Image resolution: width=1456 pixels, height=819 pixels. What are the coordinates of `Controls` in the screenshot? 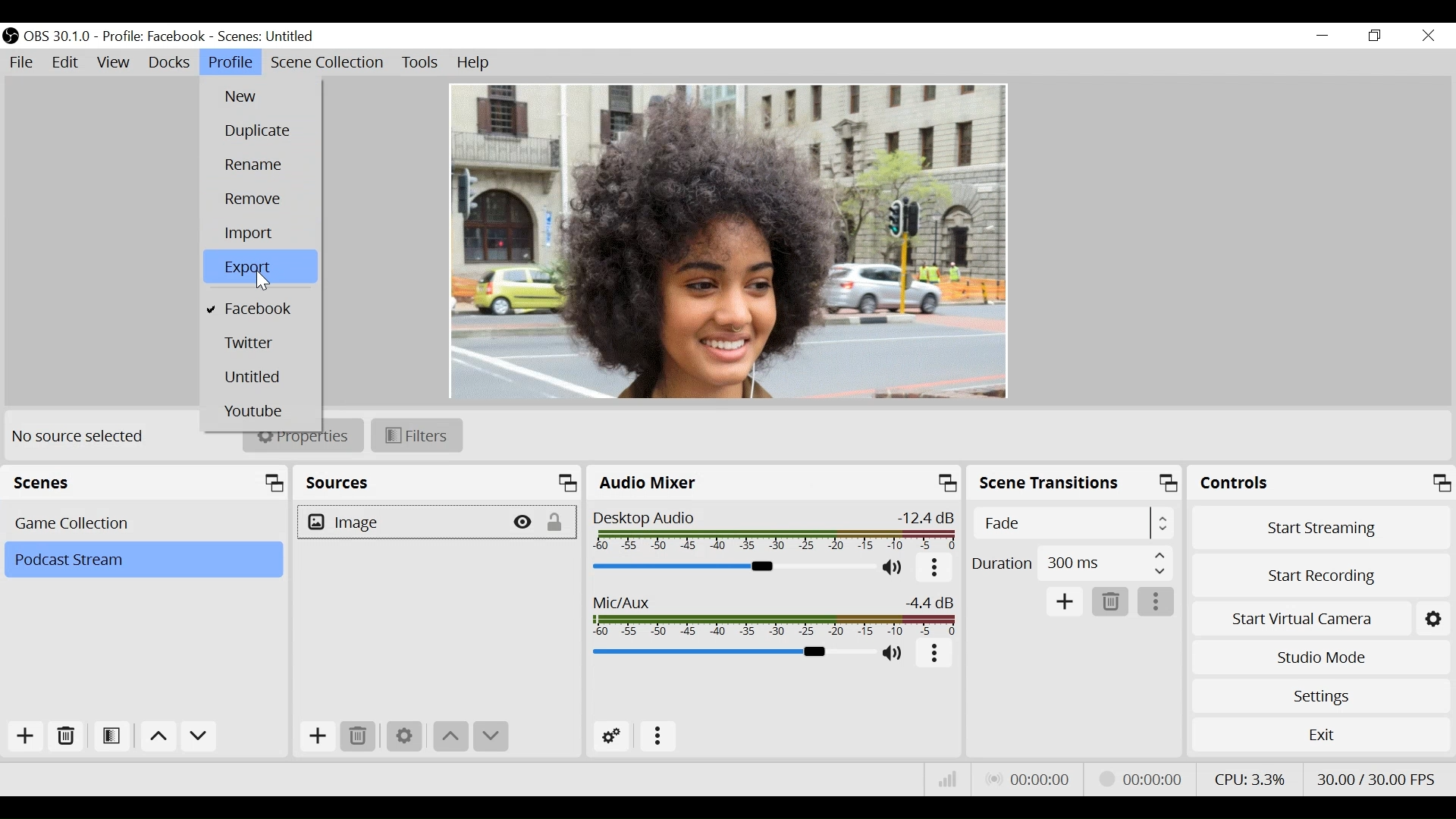 It's located at (1322, 483).